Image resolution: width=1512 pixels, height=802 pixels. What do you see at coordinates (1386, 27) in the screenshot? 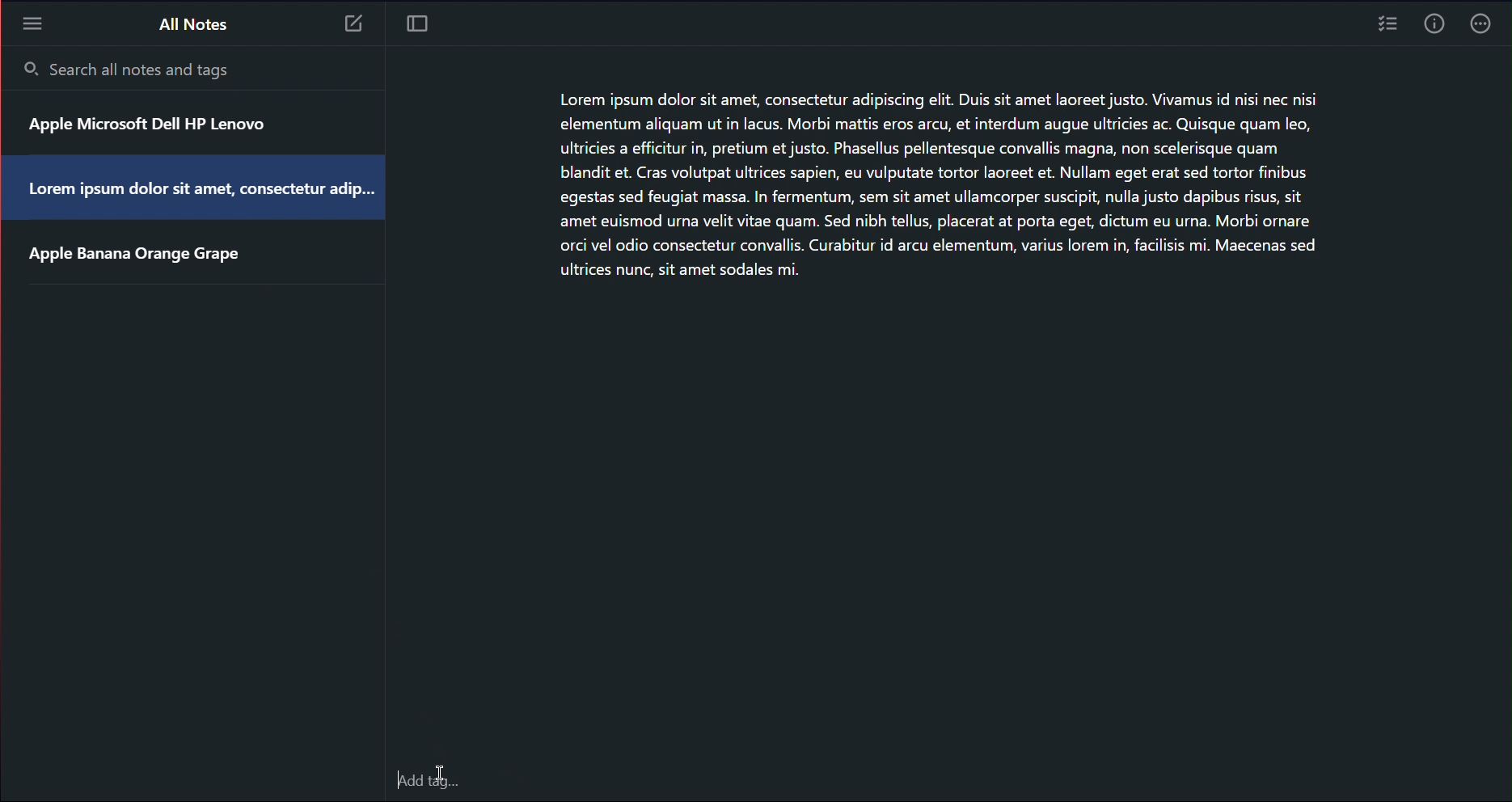
I see `Checklist` at bounding box center [1386, 27].